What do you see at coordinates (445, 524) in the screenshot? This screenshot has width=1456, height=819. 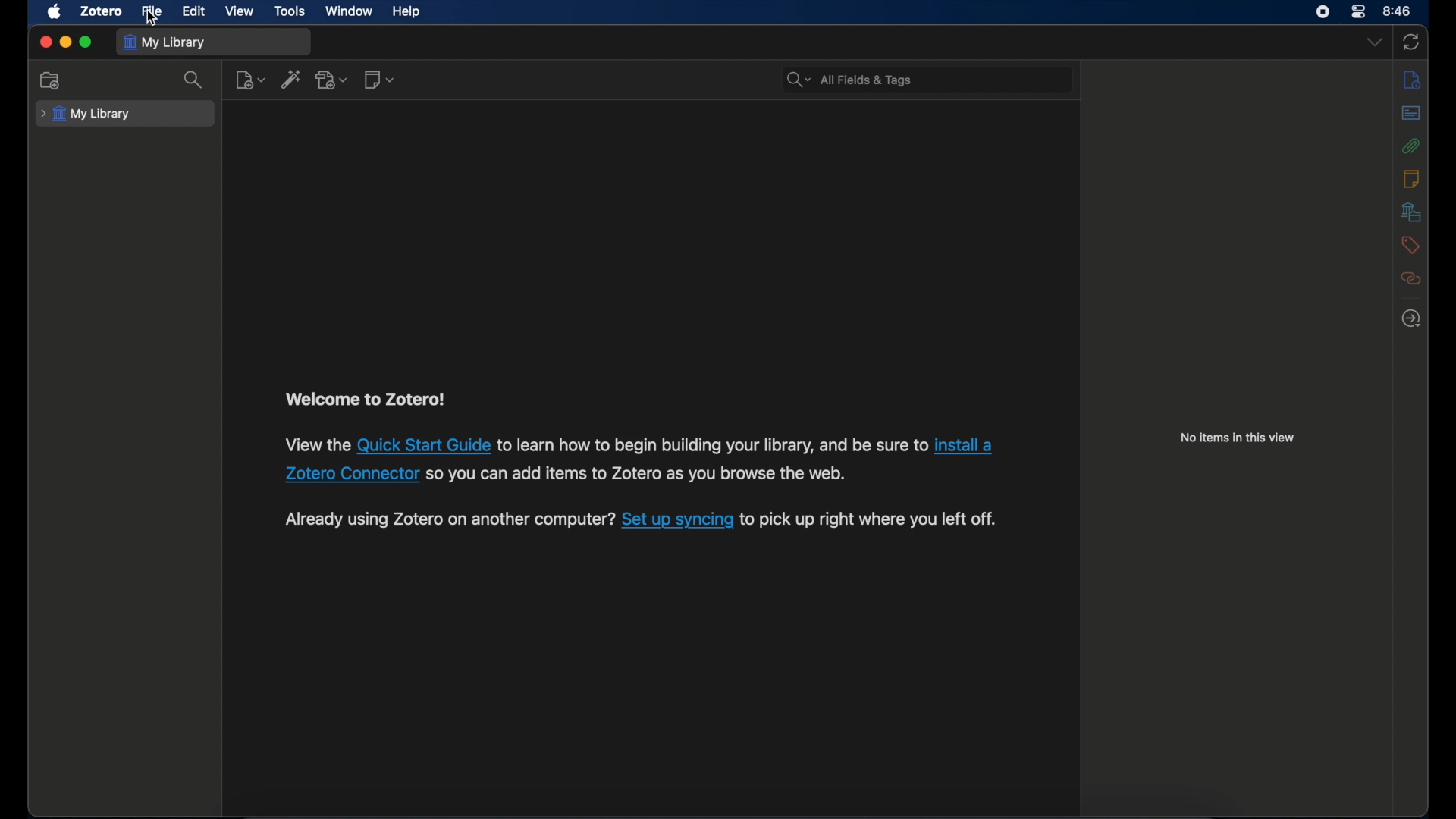 I see `software information` at bounding box center [445, 524].